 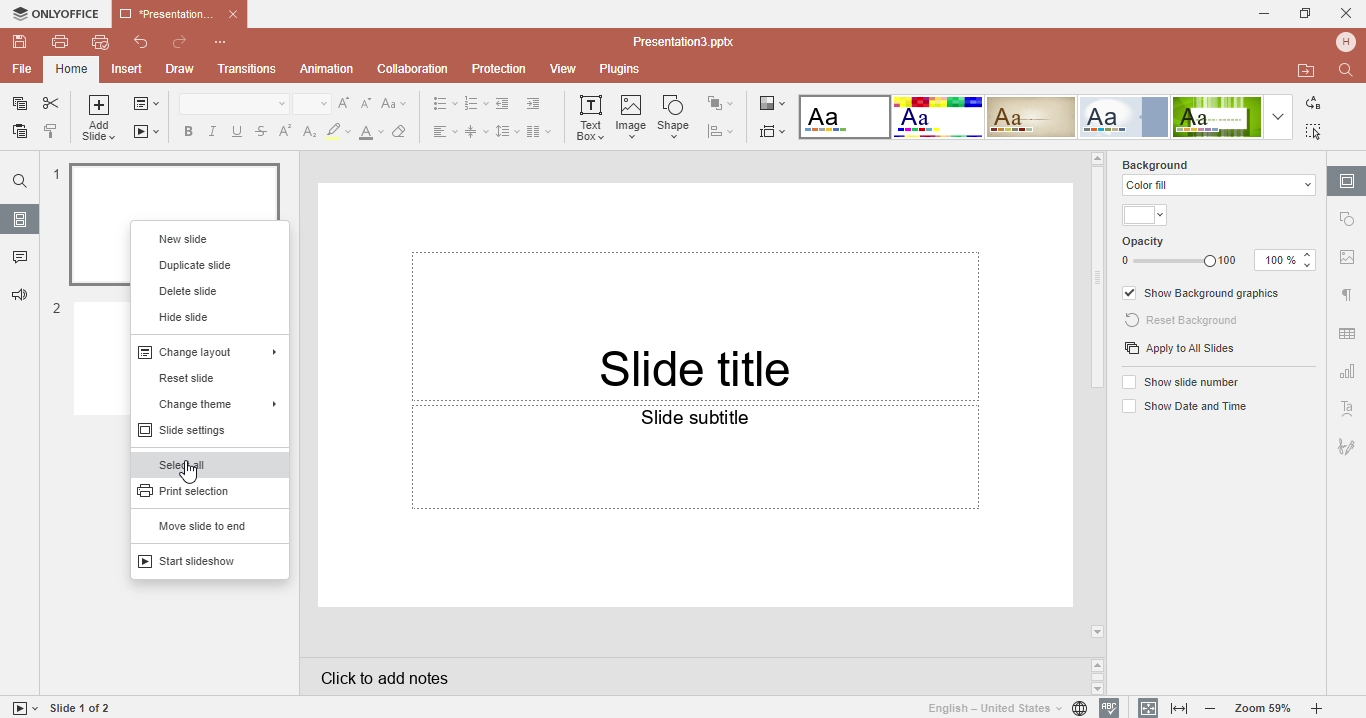 I want to click on Highlight color, so click(x=339, y=130).